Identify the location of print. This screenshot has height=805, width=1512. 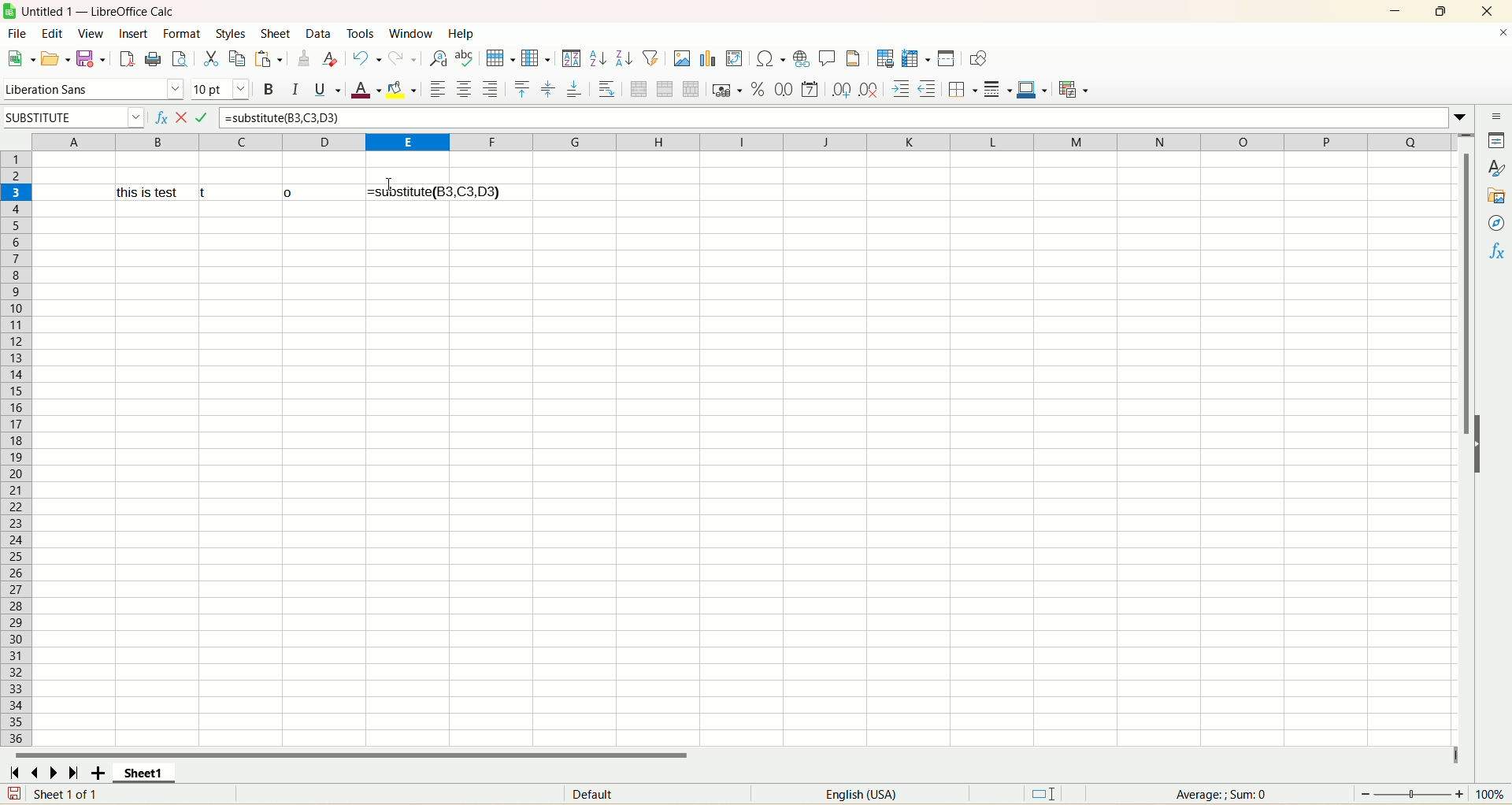
(152, 58).